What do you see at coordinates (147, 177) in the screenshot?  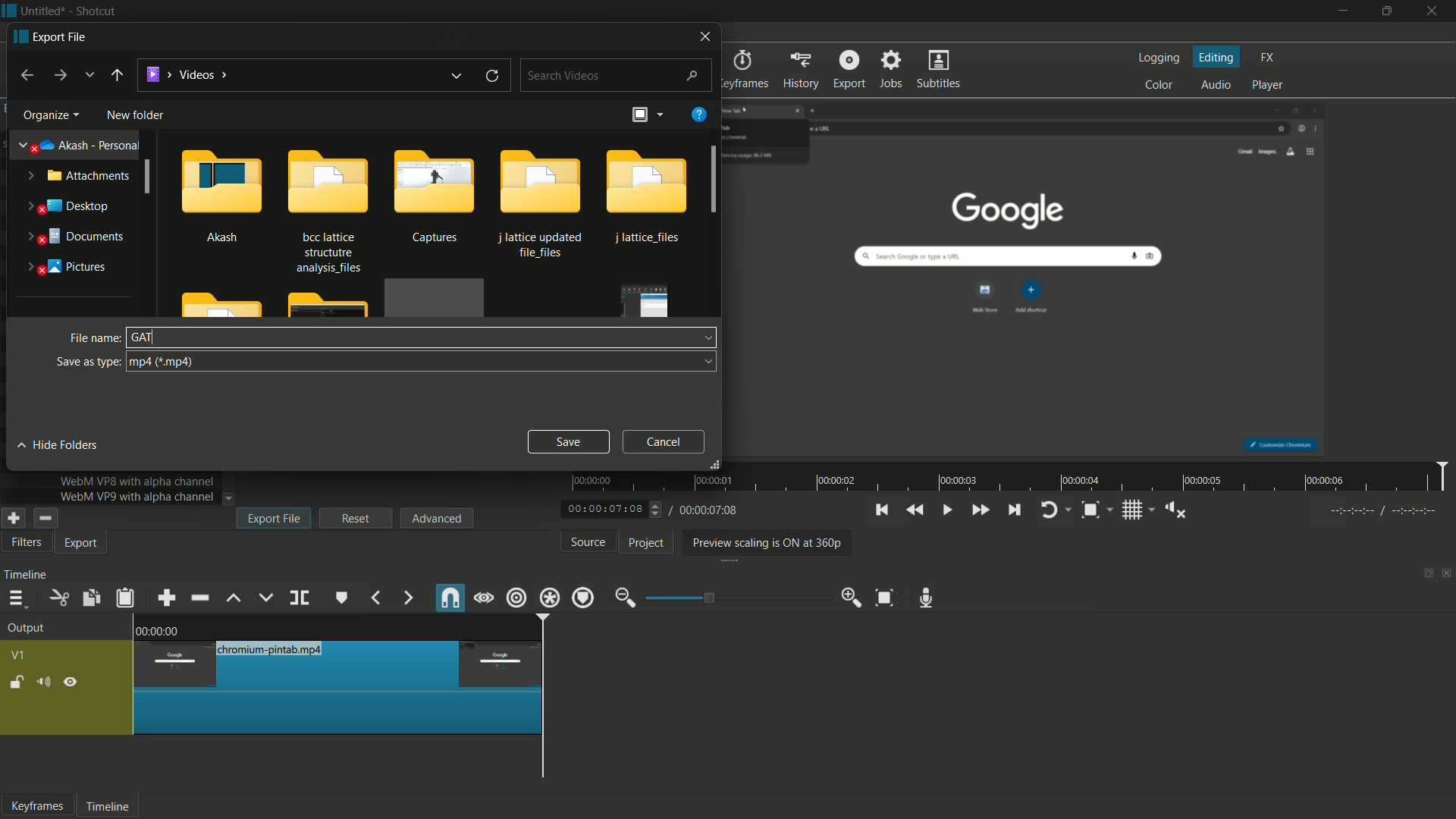 I see `sroll bar` at bounding box center [147, 177].